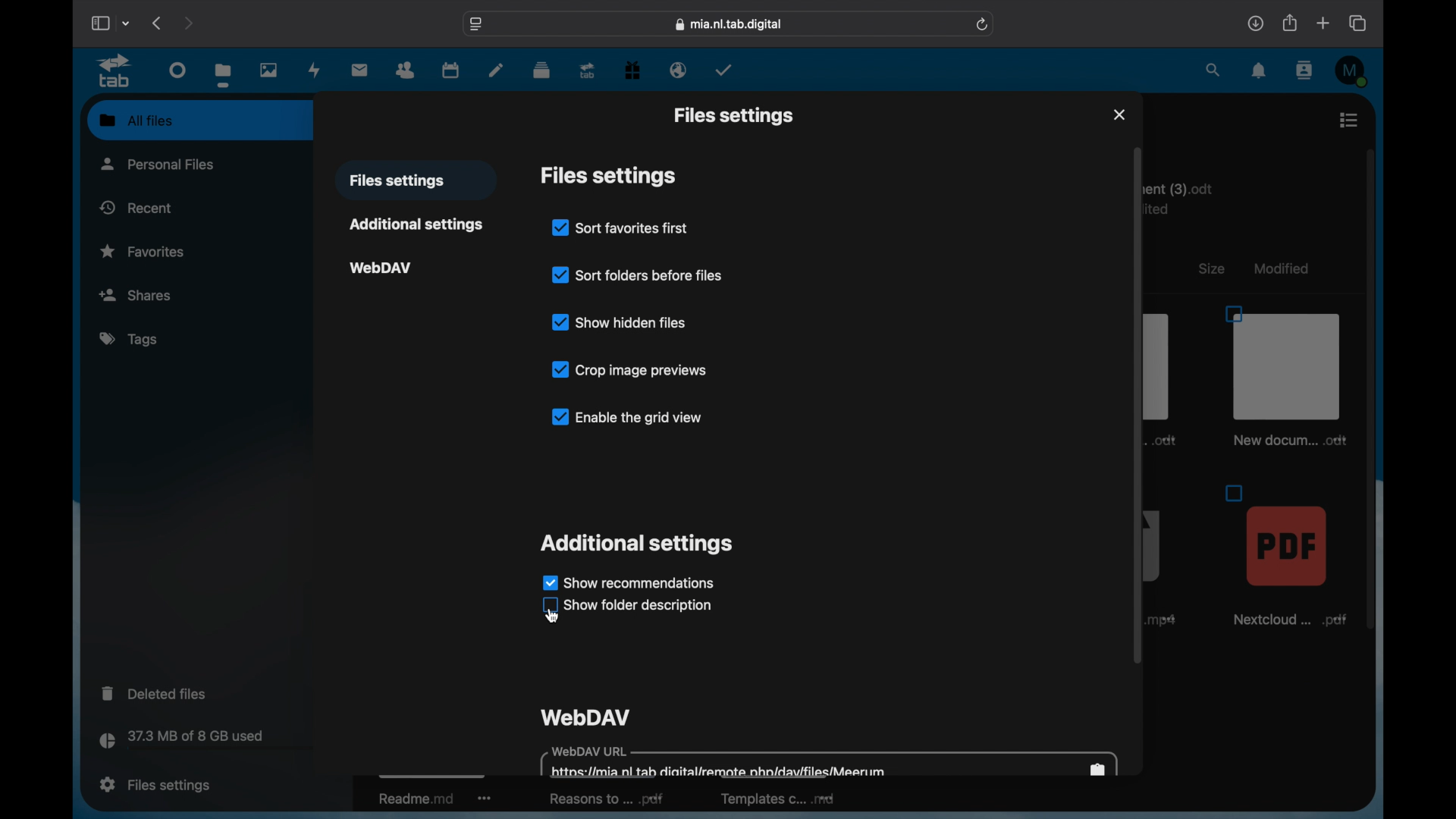  Describe the element at coordinates (127, 23) in the screenshot. I see `tab group picker` at that location.